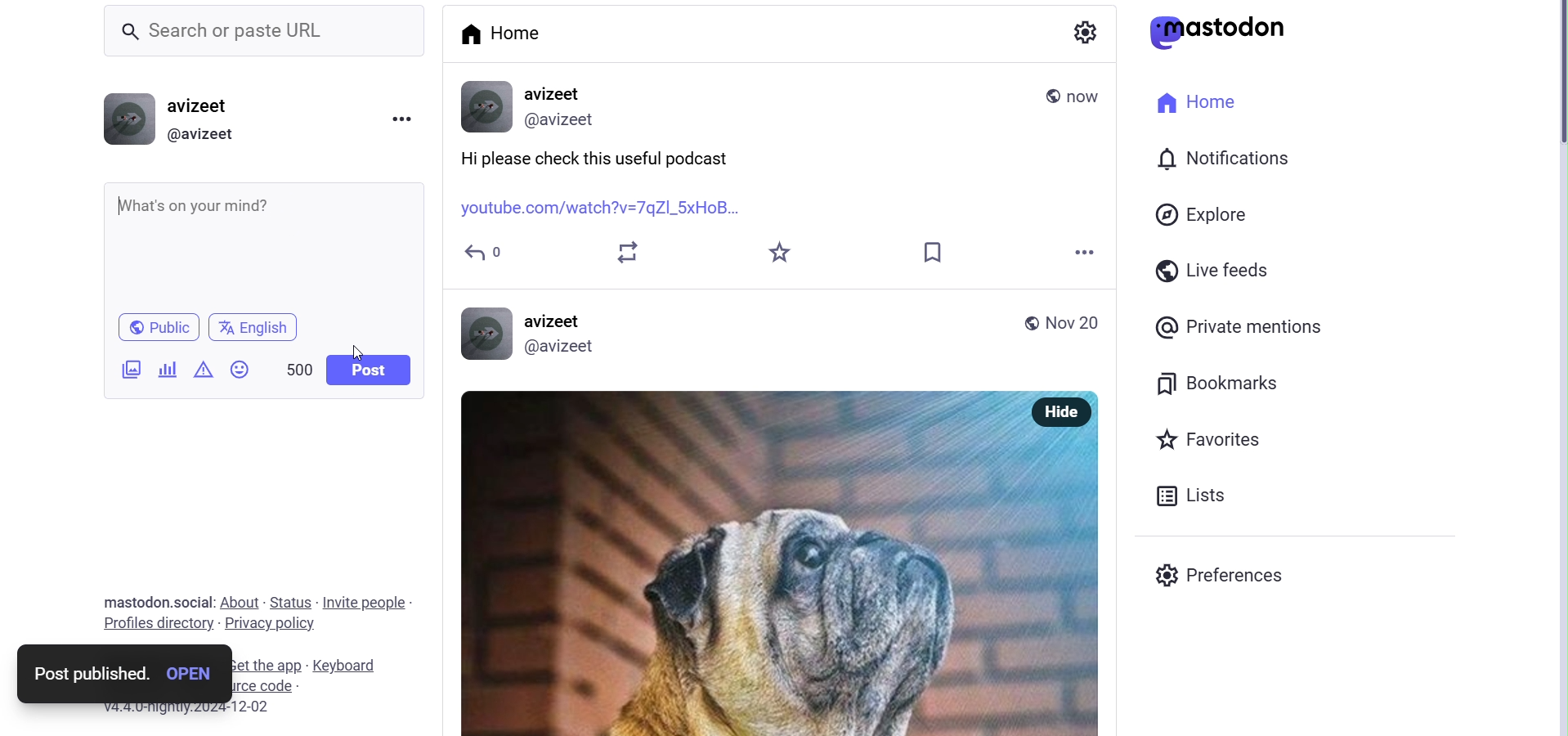  What do you see at coordinates (1086, 36) in the screenshot?
I see `setting` at bounding box center [1086, 36].